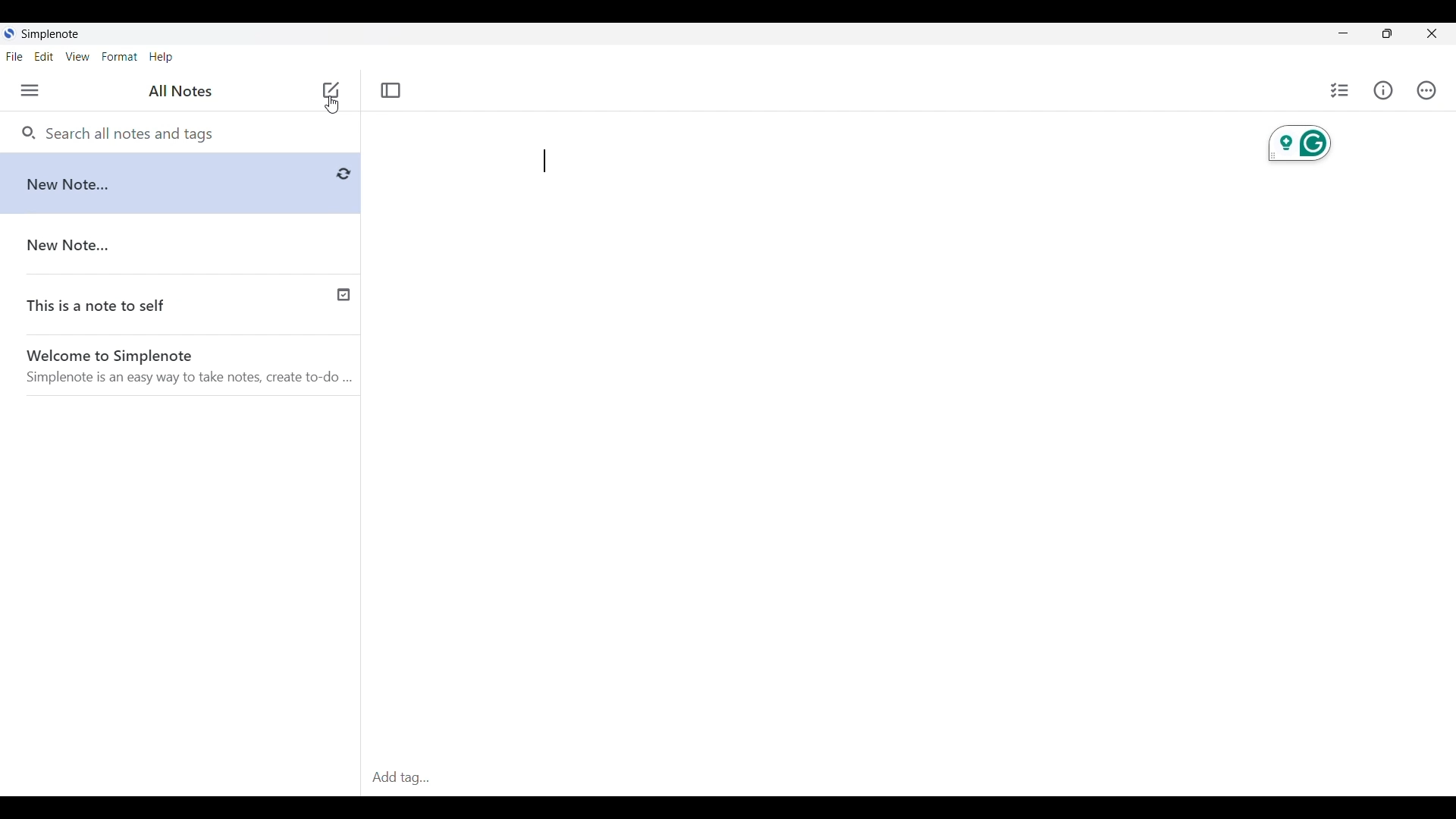 The image size is (1456, 819). What do you see at coordinates (58, 33) in the screenshot?
I see `Simplenote (Software Logo and name)` at bounding box center [58, 33].